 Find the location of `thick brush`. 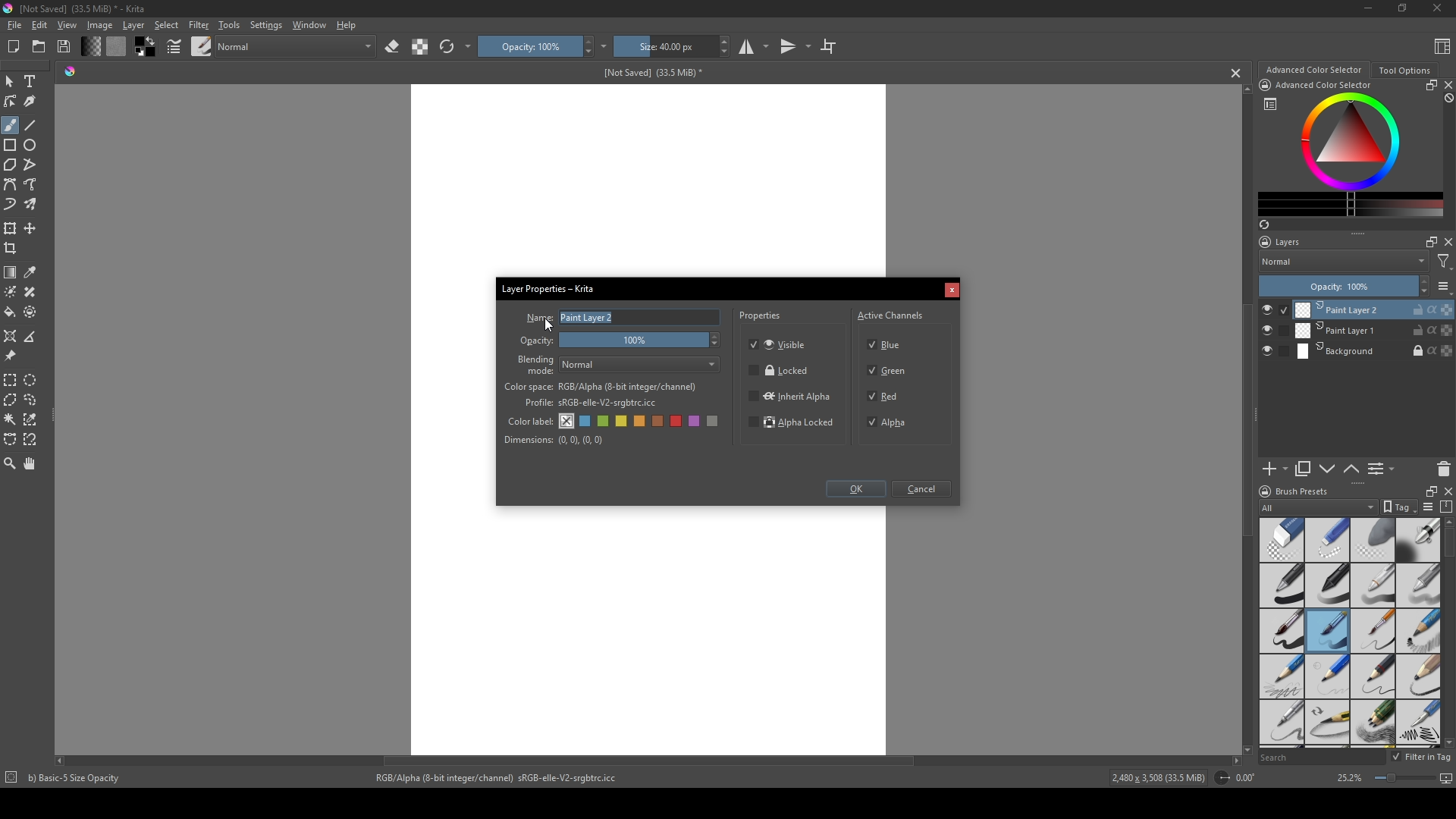

thick brush is located at coordinates (1282, 632).